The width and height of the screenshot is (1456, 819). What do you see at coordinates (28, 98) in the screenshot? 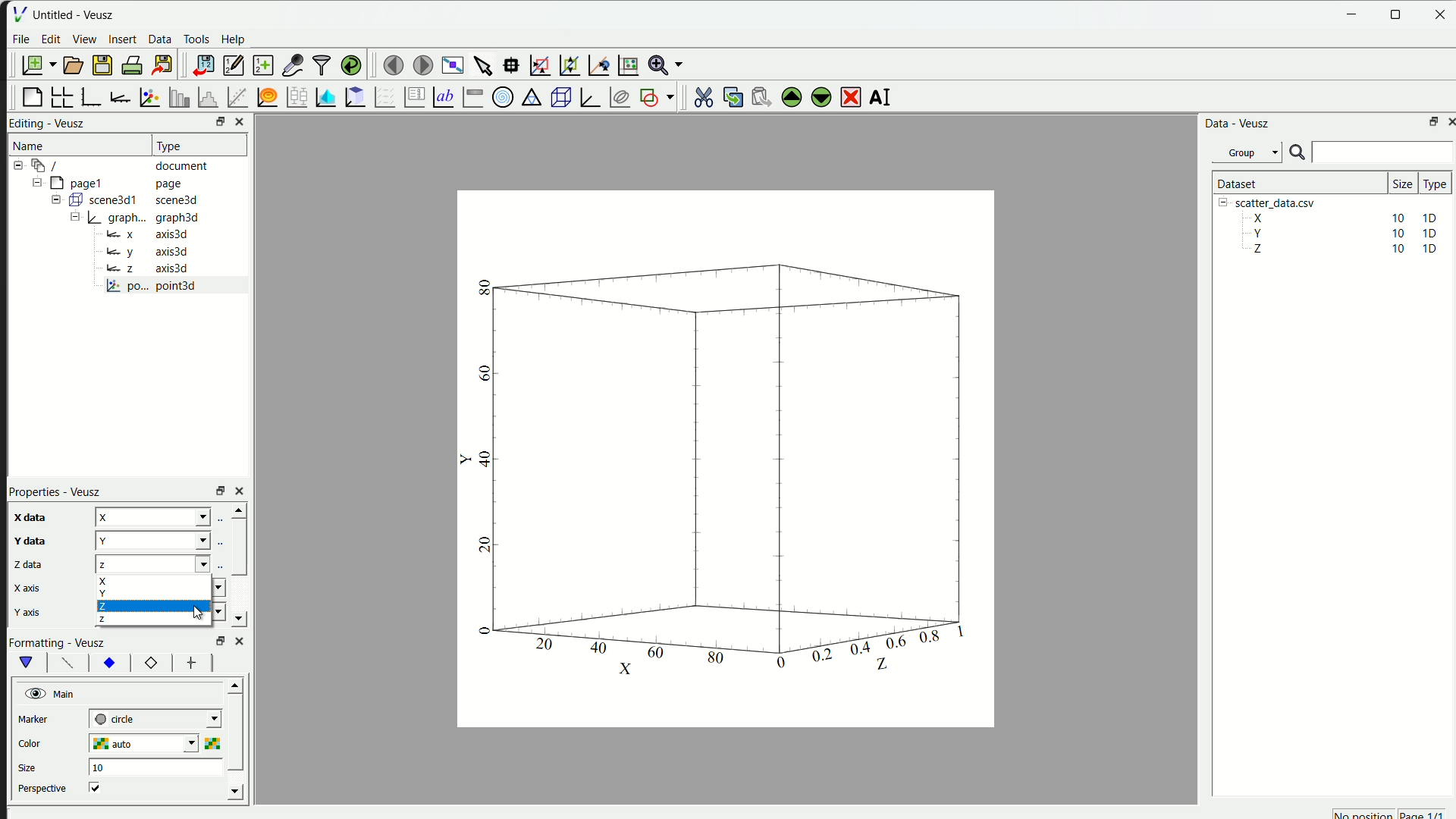
I see `blank page` at bounding box center [28, 98].